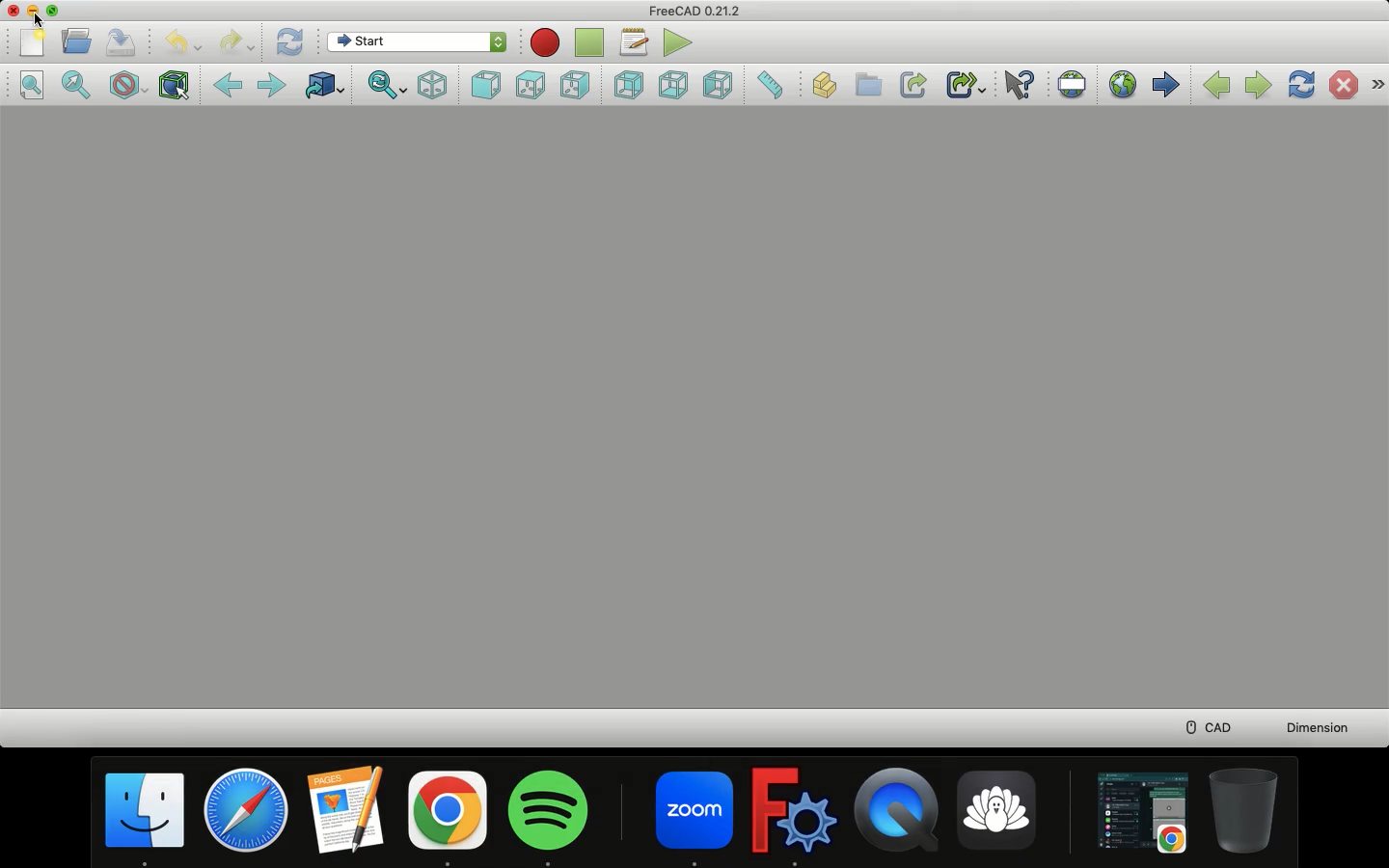 The height and width of the screenshot is (868, 1389). Describe the element at coordinates (630, 83) in the screenshot. I see `Rear` at that location.